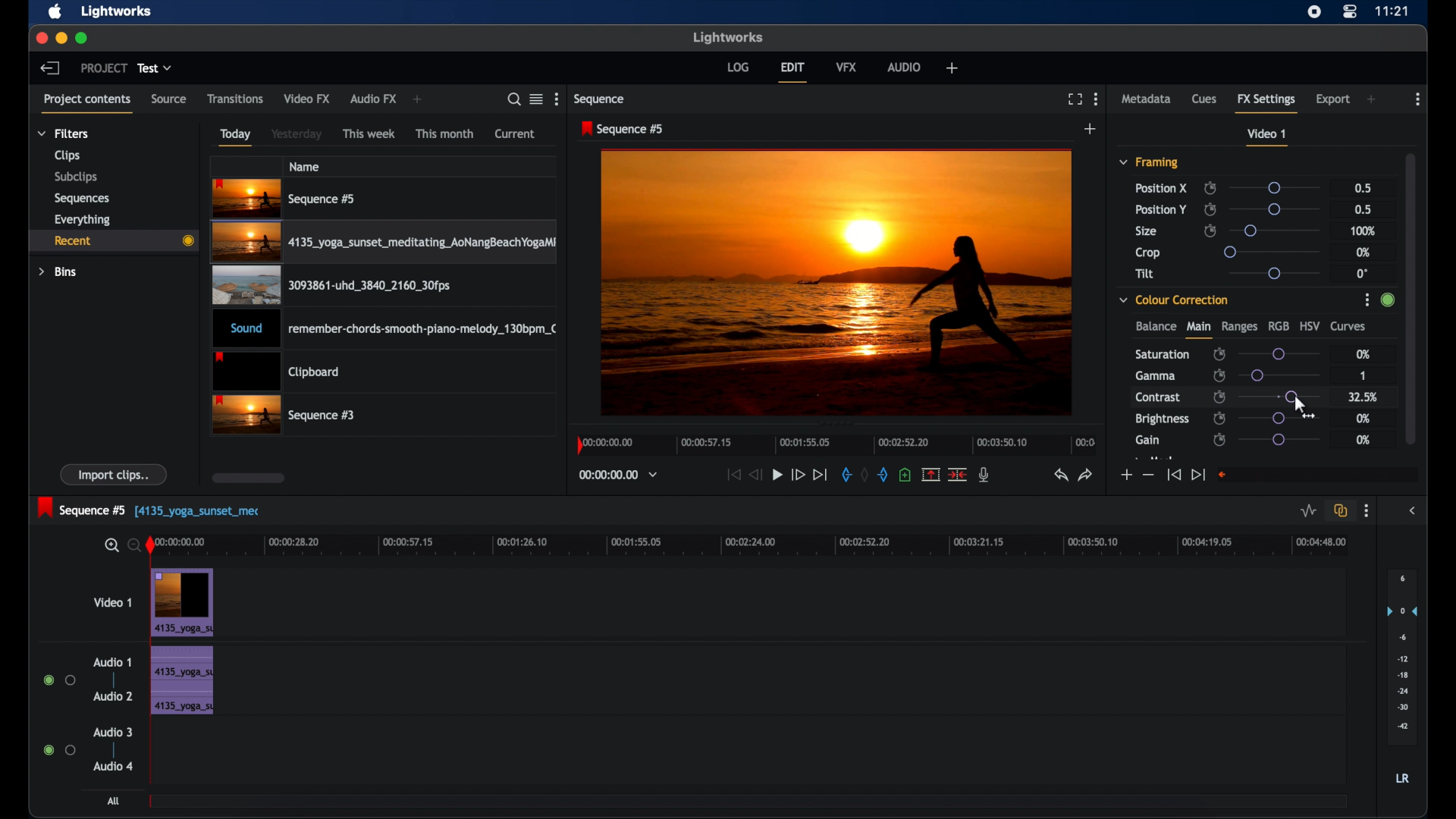 The width and height of the screenshot is (1456, 819). I want to click on fx settings, so click(1266, 101).